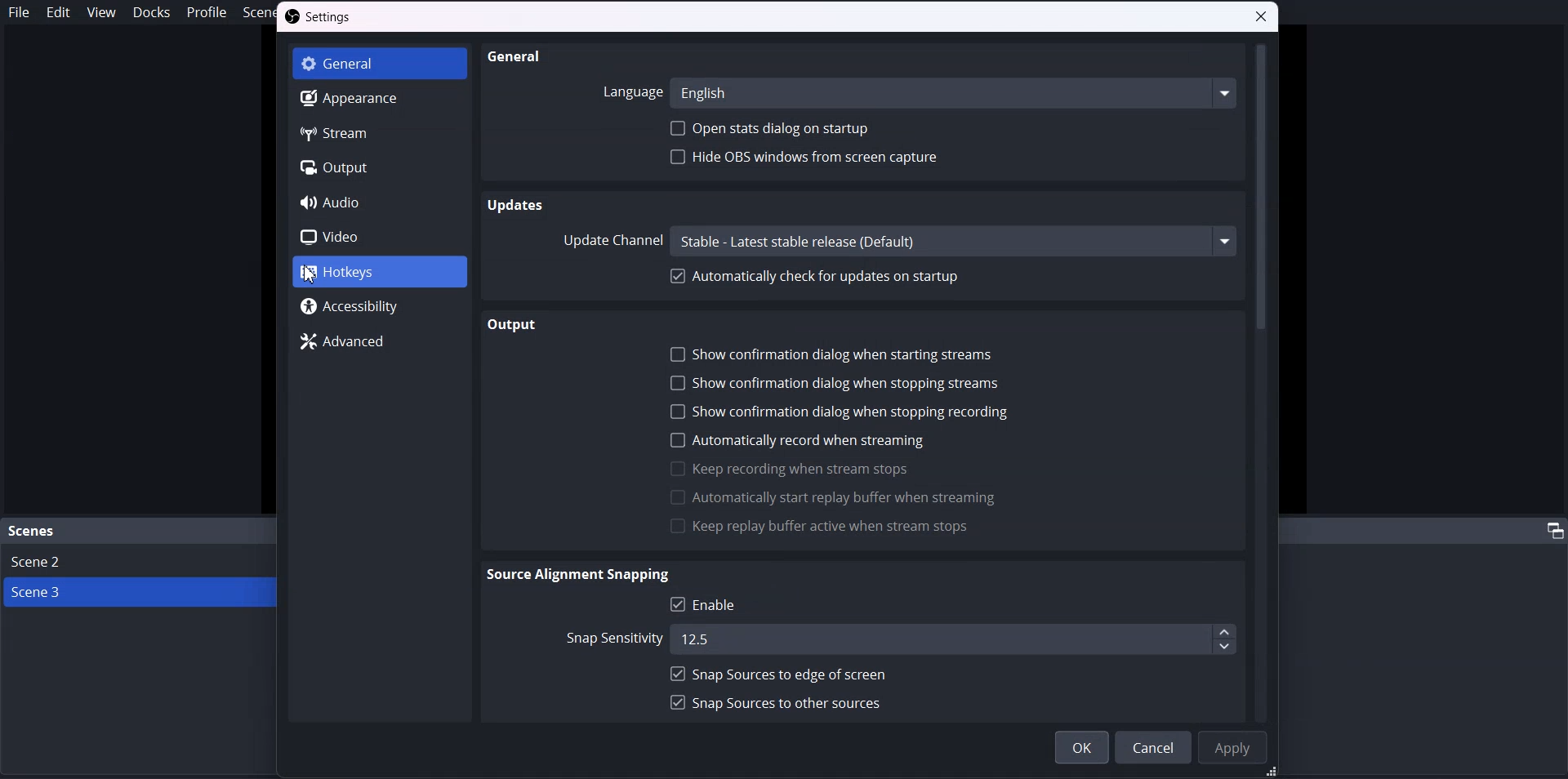 This screenshot has width=1568, height=779. Describe the element at coordinates (800, 438) in the screenshot. I see `Automatically record when streaming` at that location.